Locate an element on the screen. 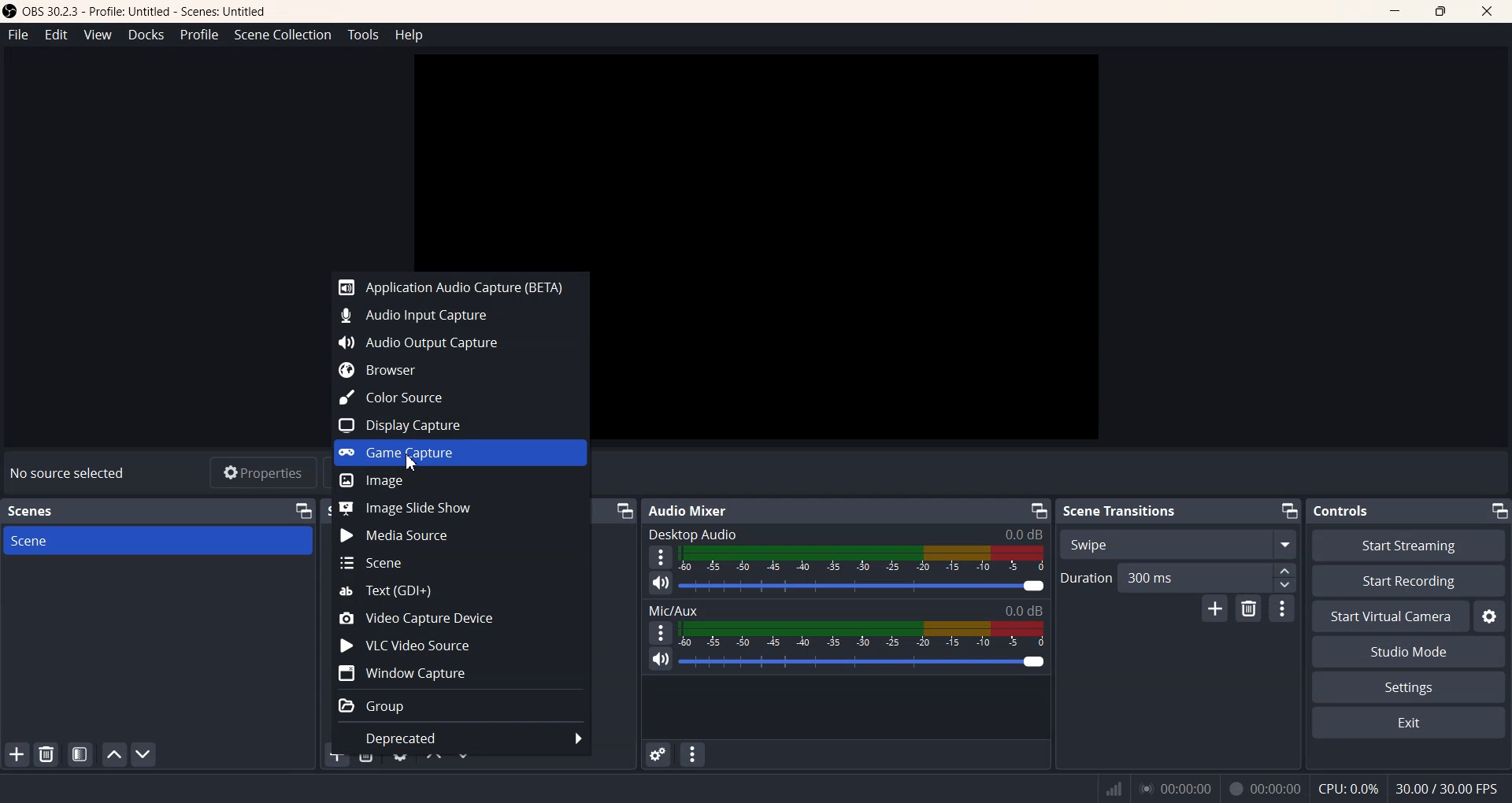 The height and width of the screenshot is (803, 1512). Text is located at coordinates (1299, 788).